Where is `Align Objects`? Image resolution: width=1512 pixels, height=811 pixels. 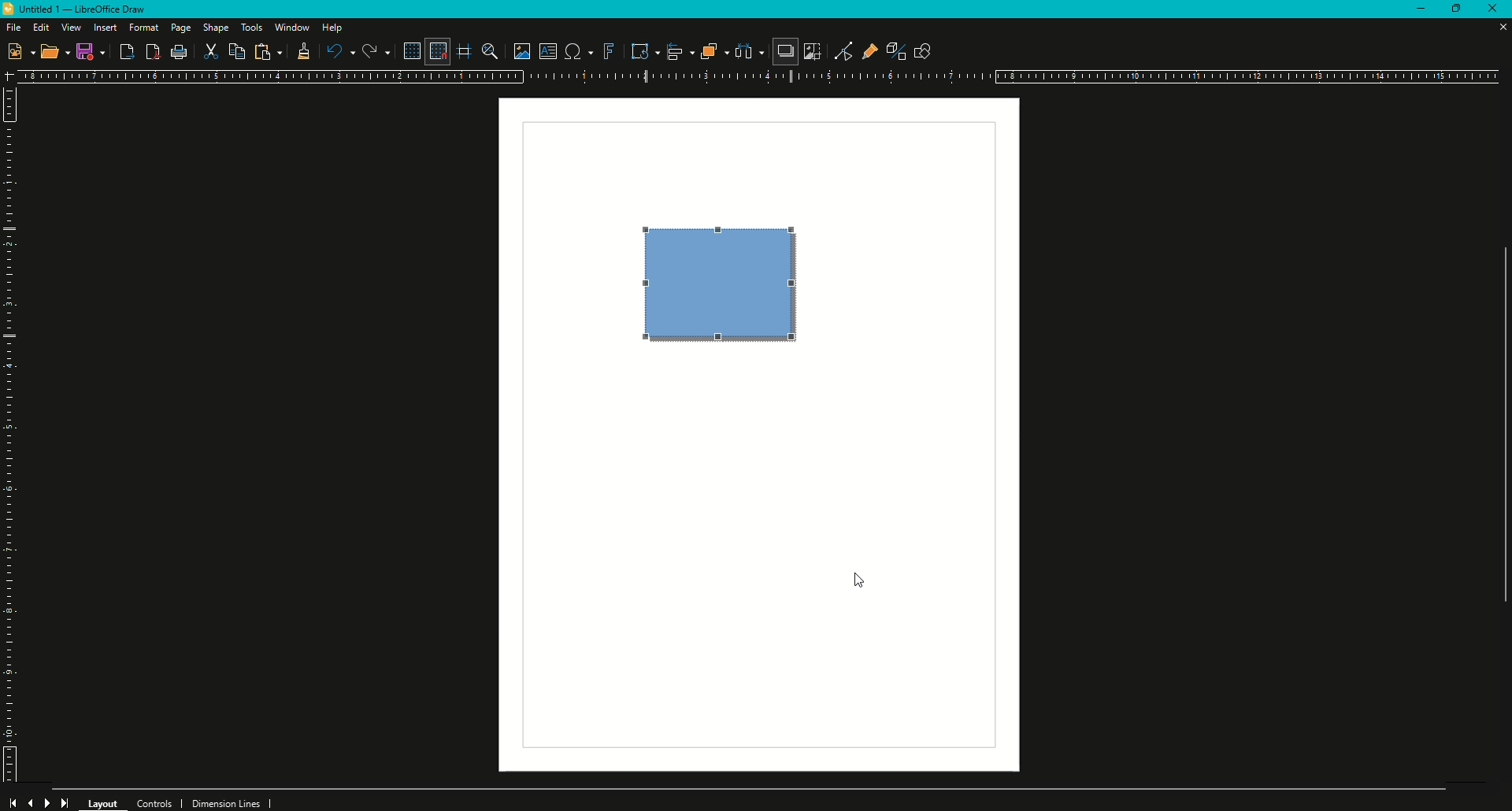
Align Objects is located at coordinates (674, 51).